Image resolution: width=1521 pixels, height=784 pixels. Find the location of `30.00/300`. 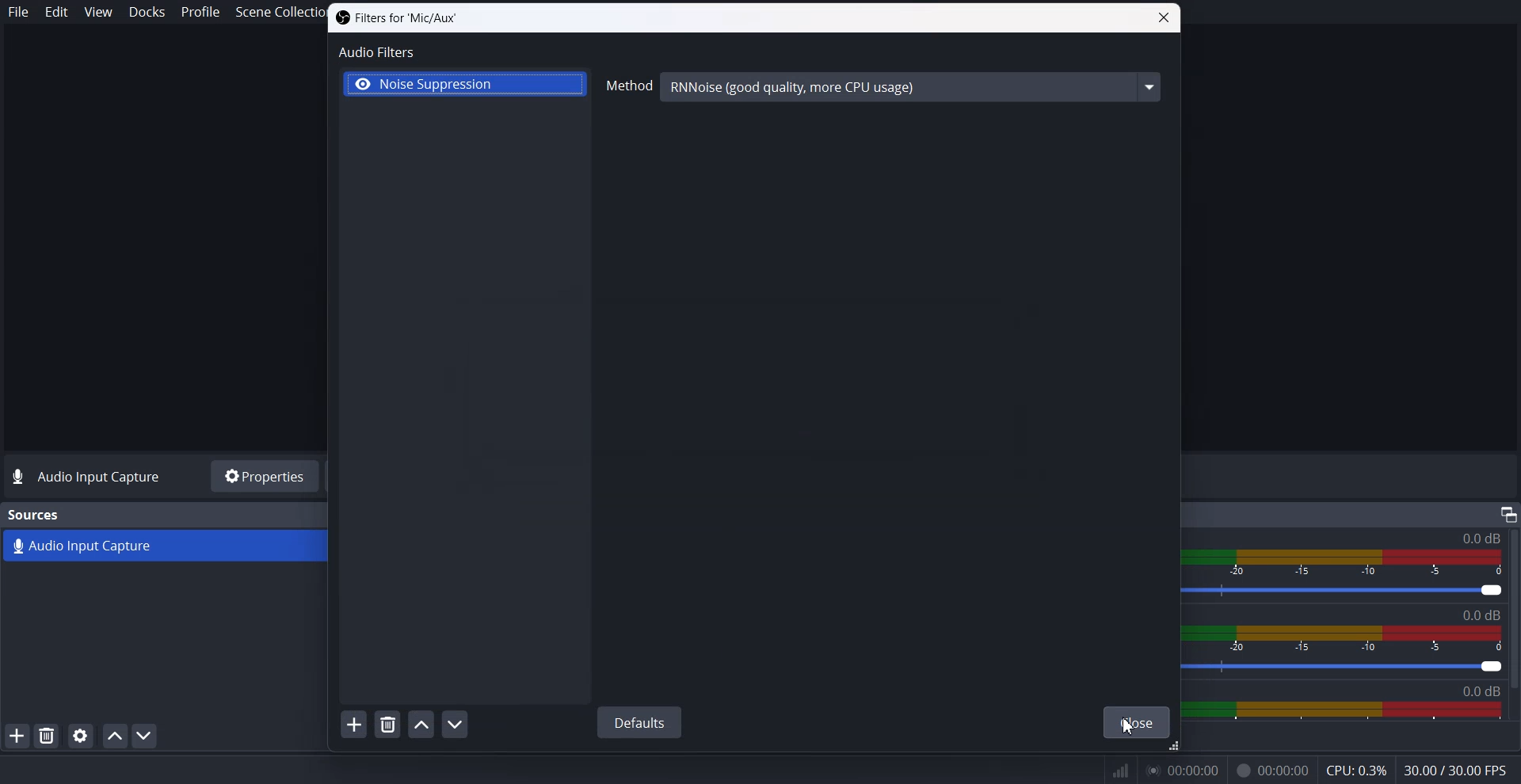

30.00/300 is located at coordinates (1461, 771).